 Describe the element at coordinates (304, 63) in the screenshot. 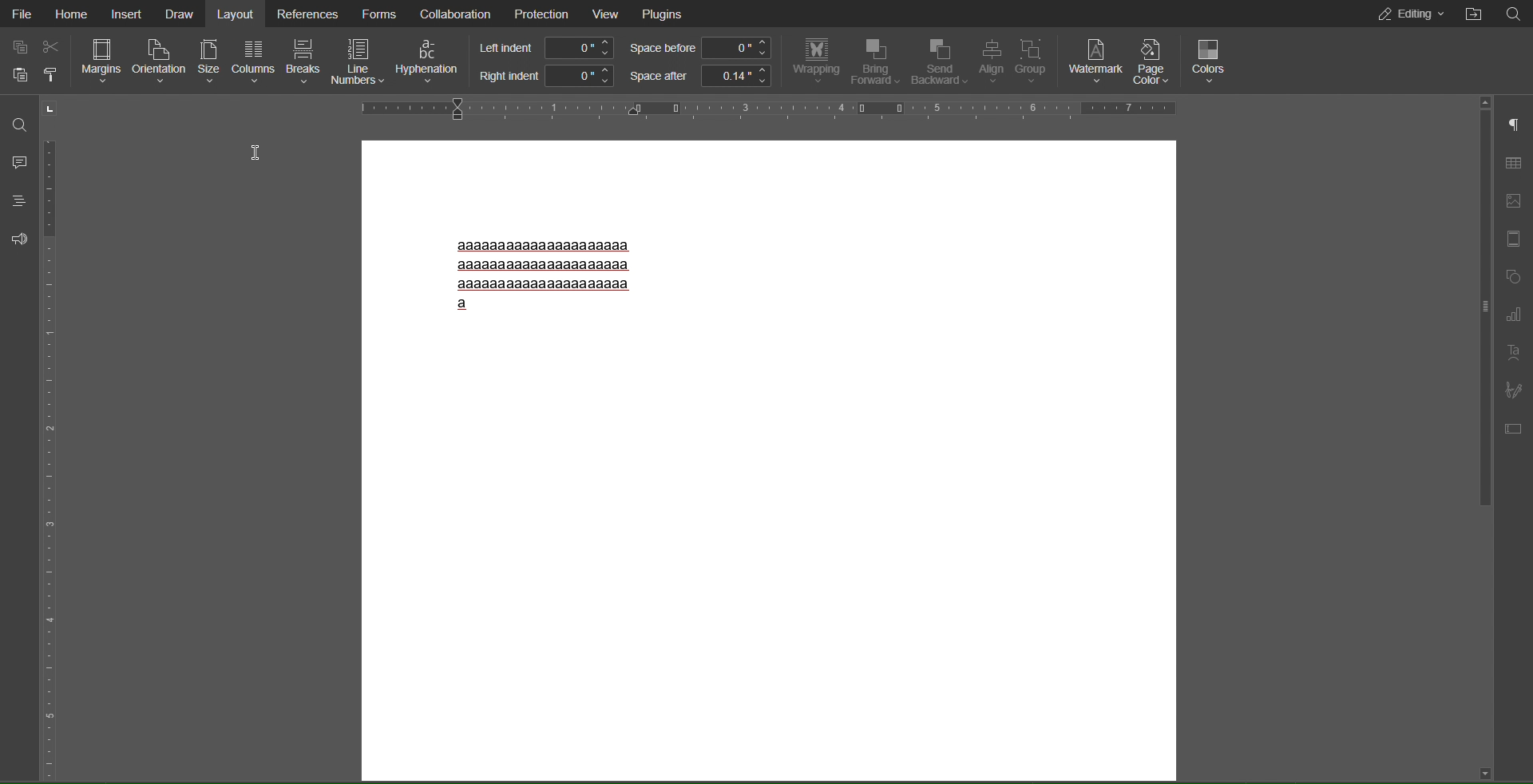

I see `Breaks` at that location.